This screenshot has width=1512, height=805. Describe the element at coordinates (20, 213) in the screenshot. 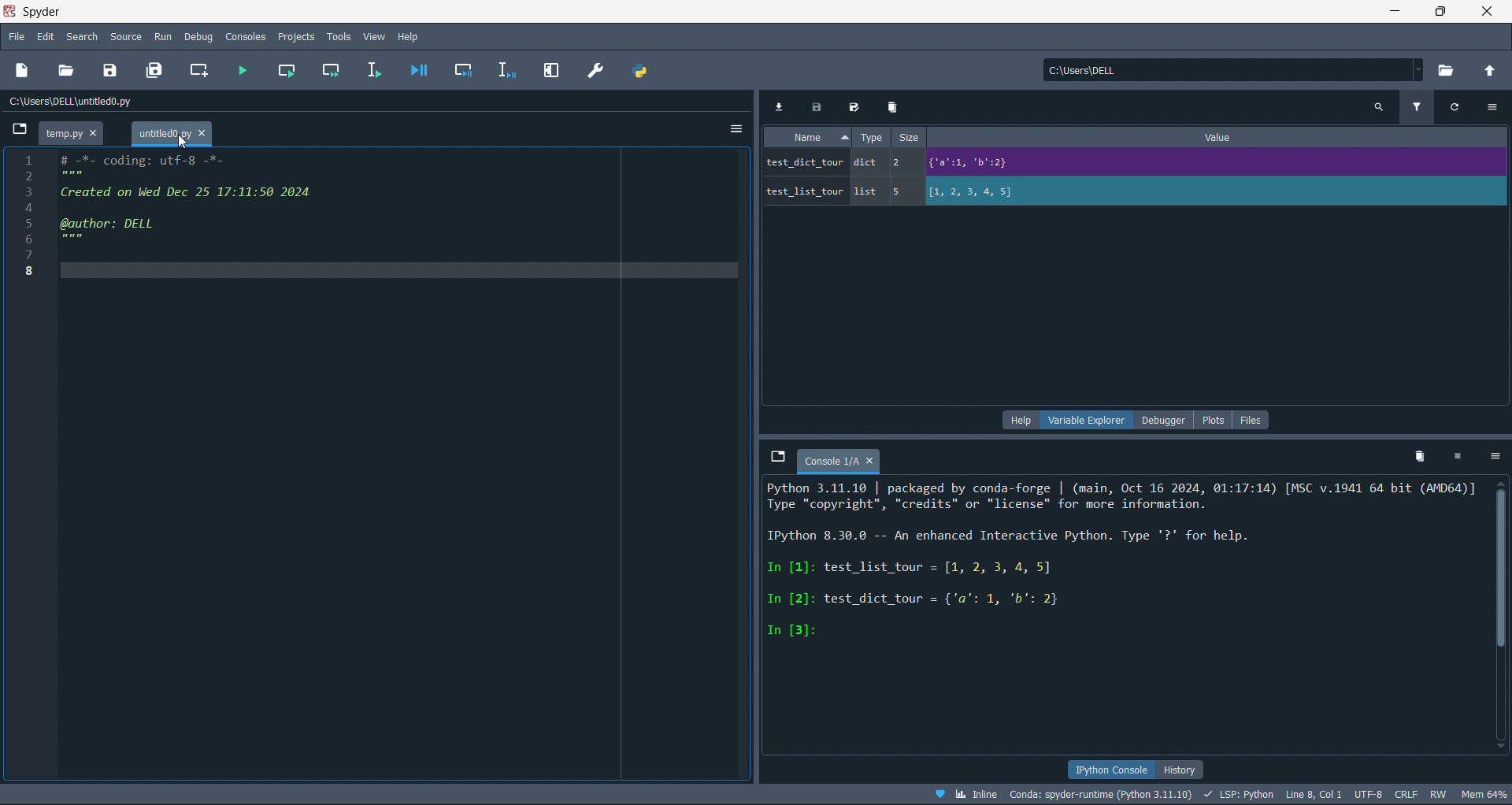

I see `1 2 3 4 5 6 7 8` at that location.